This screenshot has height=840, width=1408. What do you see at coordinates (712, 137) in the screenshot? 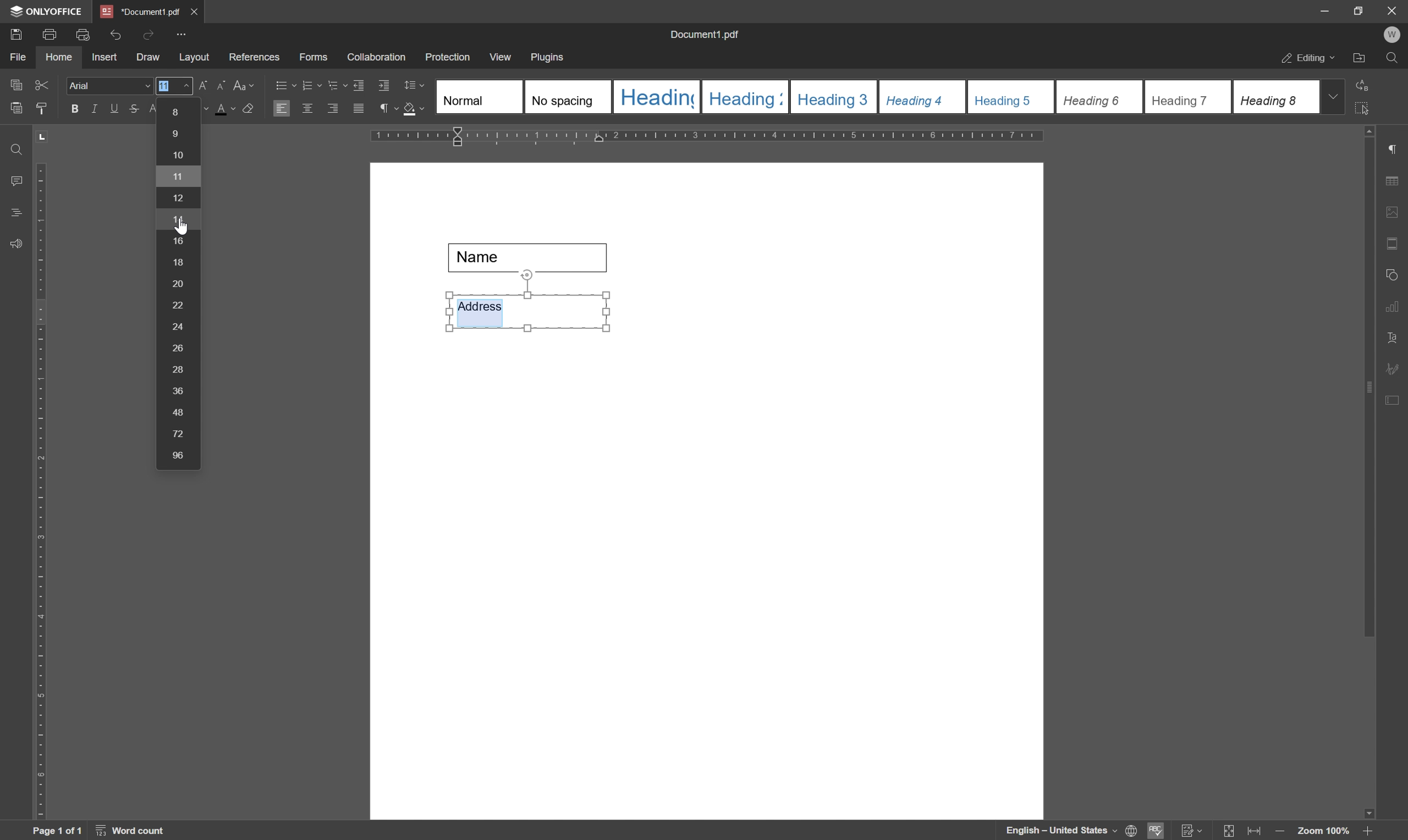
I see `ruler` at bounding box center [712, 137].